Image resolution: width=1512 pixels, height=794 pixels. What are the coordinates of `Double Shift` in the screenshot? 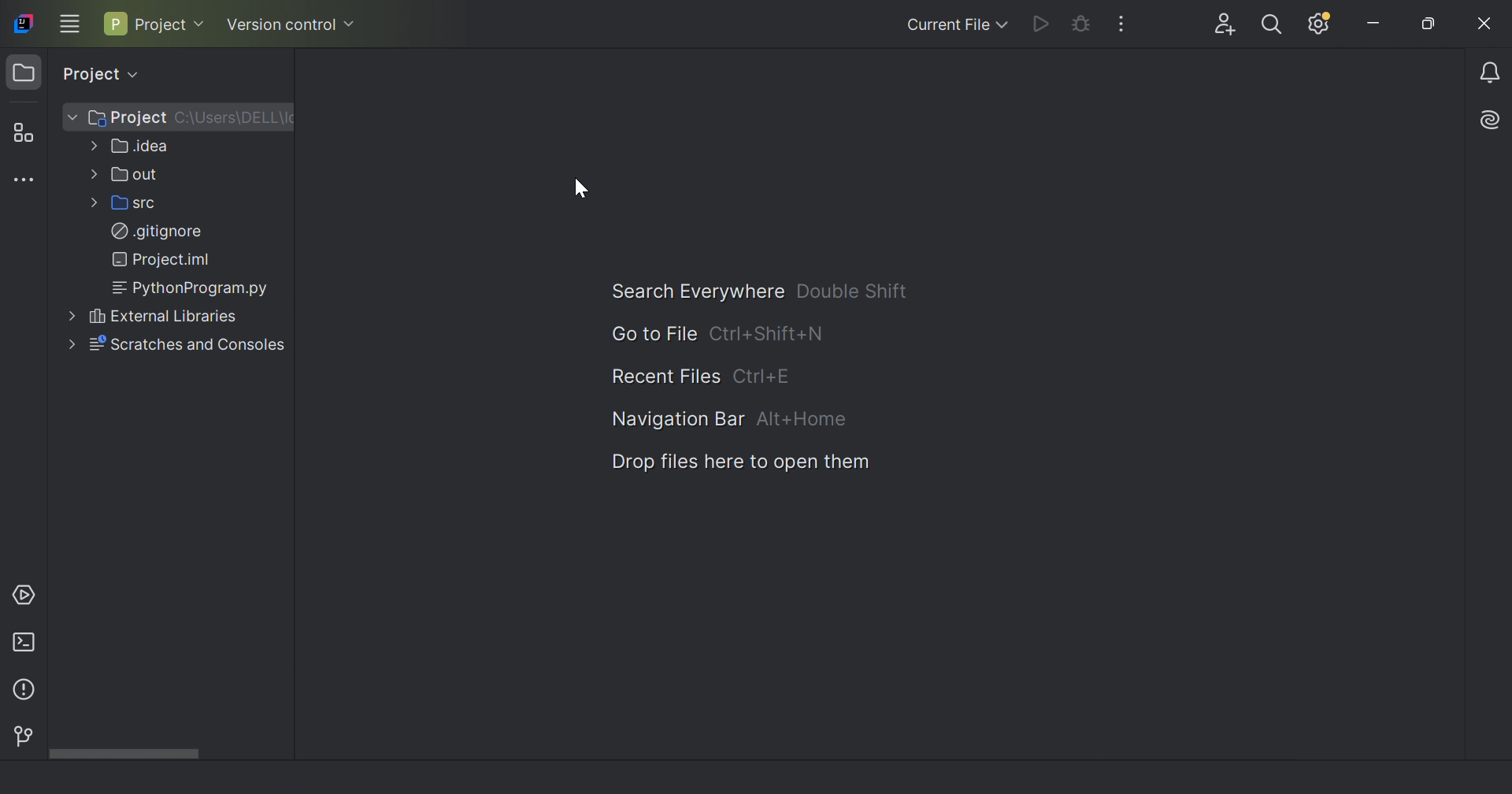 It's located at (855, 290).